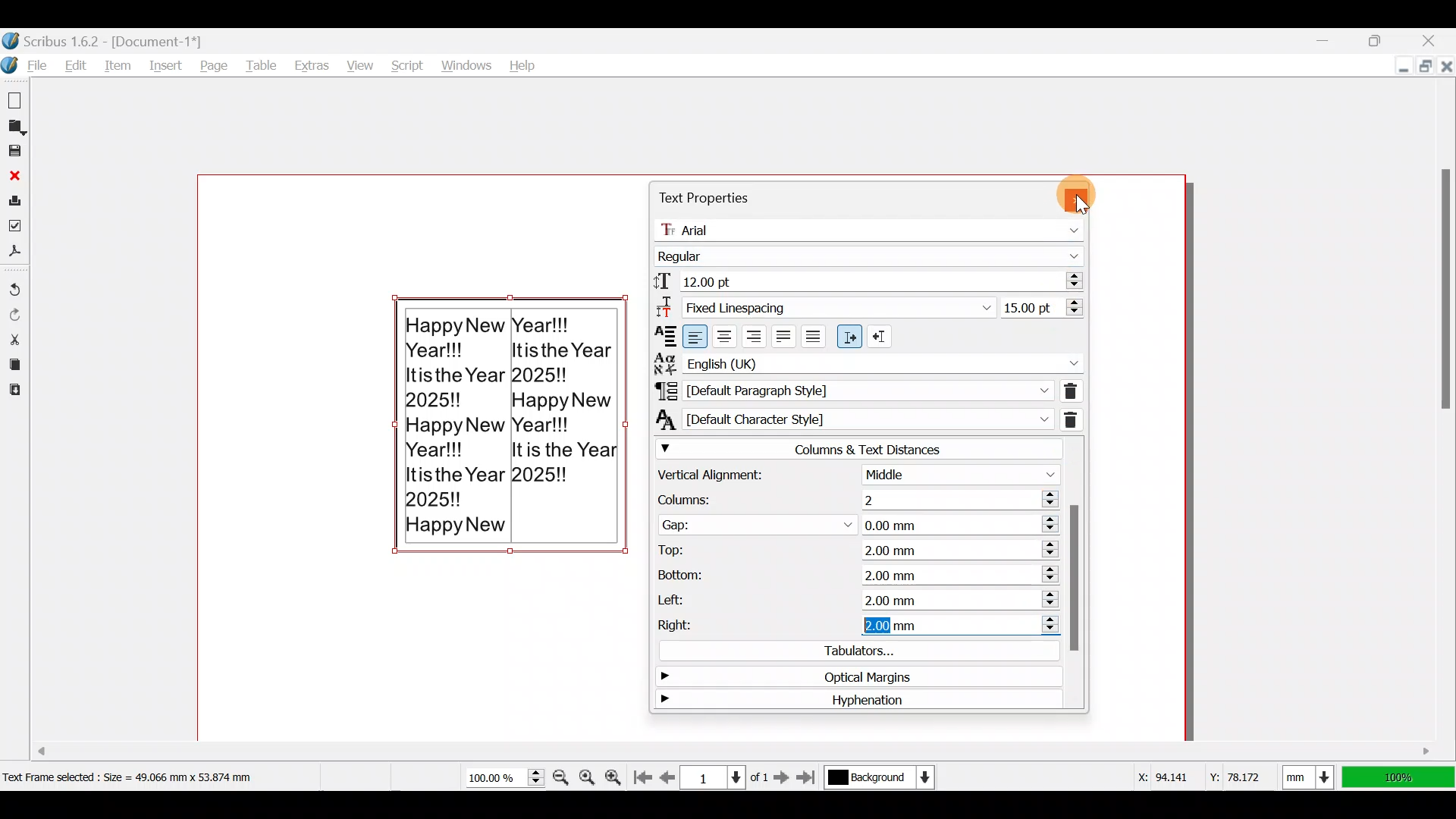 Image resolution: width=1456 pixels, height=819 pixels. Describe the element at coordinates (122, 65) in the screenshot. I see `Item` at that location.